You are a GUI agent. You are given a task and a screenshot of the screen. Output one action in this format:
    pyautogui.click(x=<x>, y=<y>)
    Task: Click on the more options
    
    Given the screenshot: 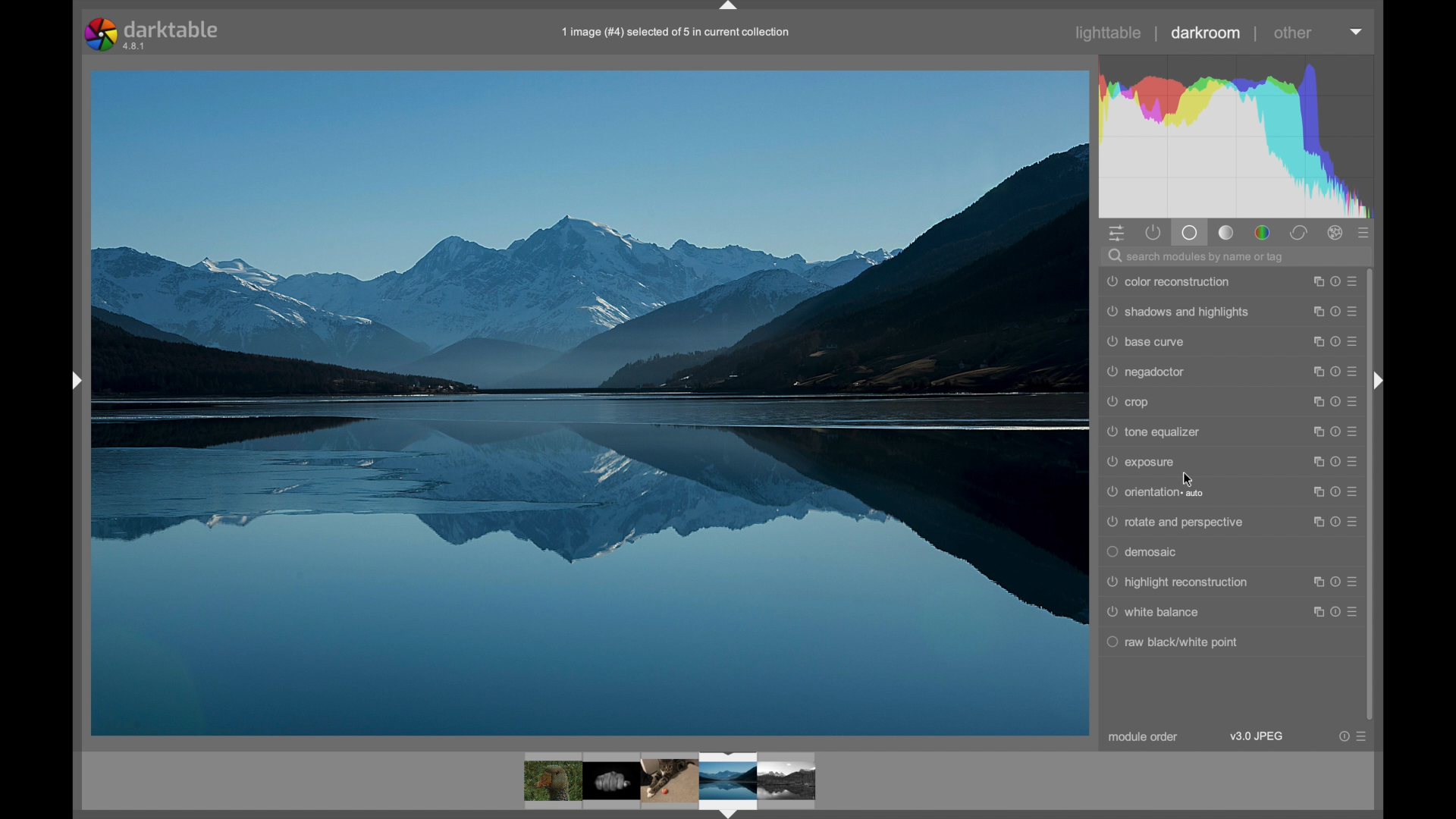 What is the action you would take?
    pyautogui.click(x=1336, y=491)
    